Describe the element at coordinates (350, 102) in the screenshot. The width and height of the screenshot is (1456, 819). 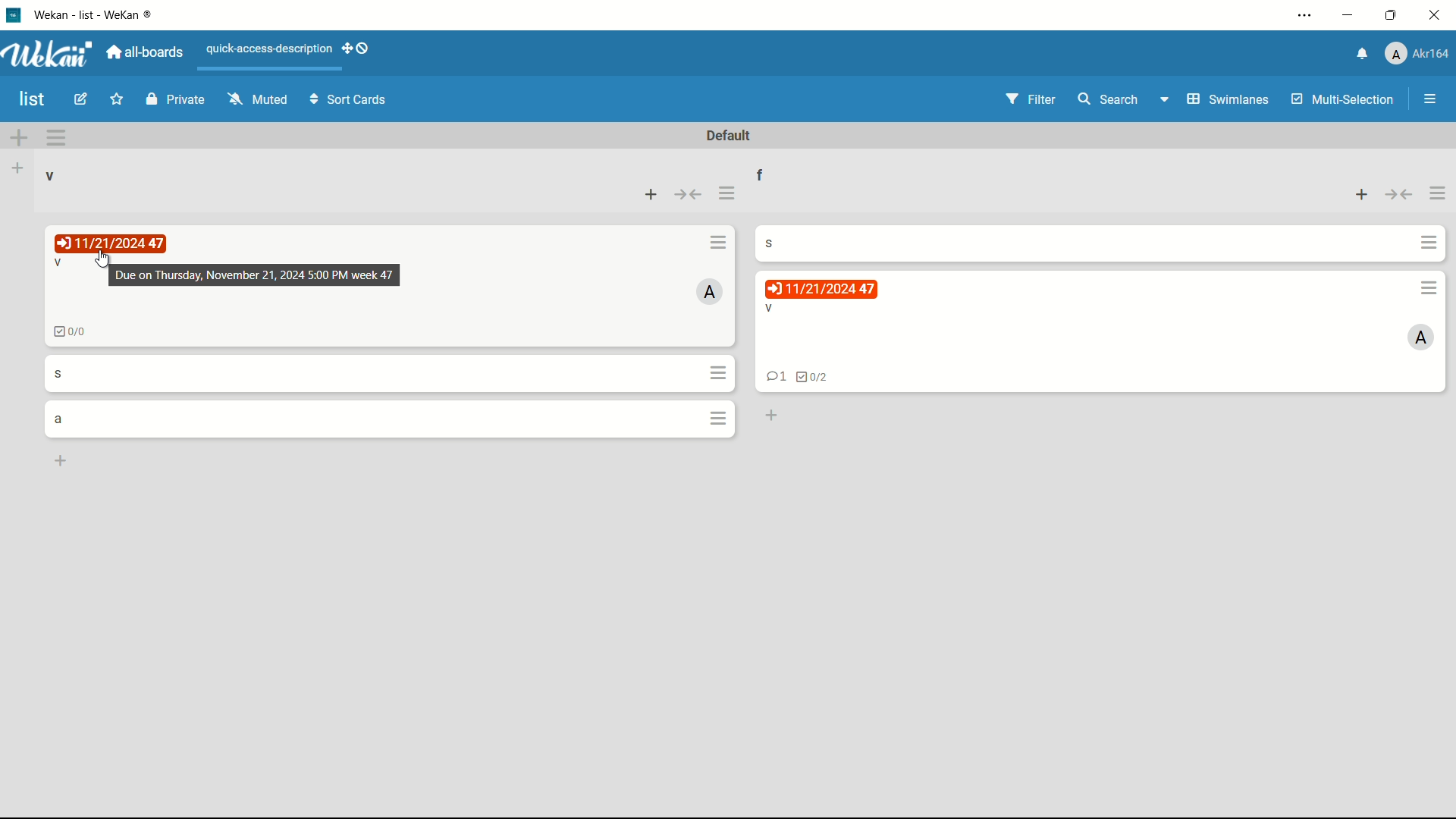
I see `sort cards` at that location.